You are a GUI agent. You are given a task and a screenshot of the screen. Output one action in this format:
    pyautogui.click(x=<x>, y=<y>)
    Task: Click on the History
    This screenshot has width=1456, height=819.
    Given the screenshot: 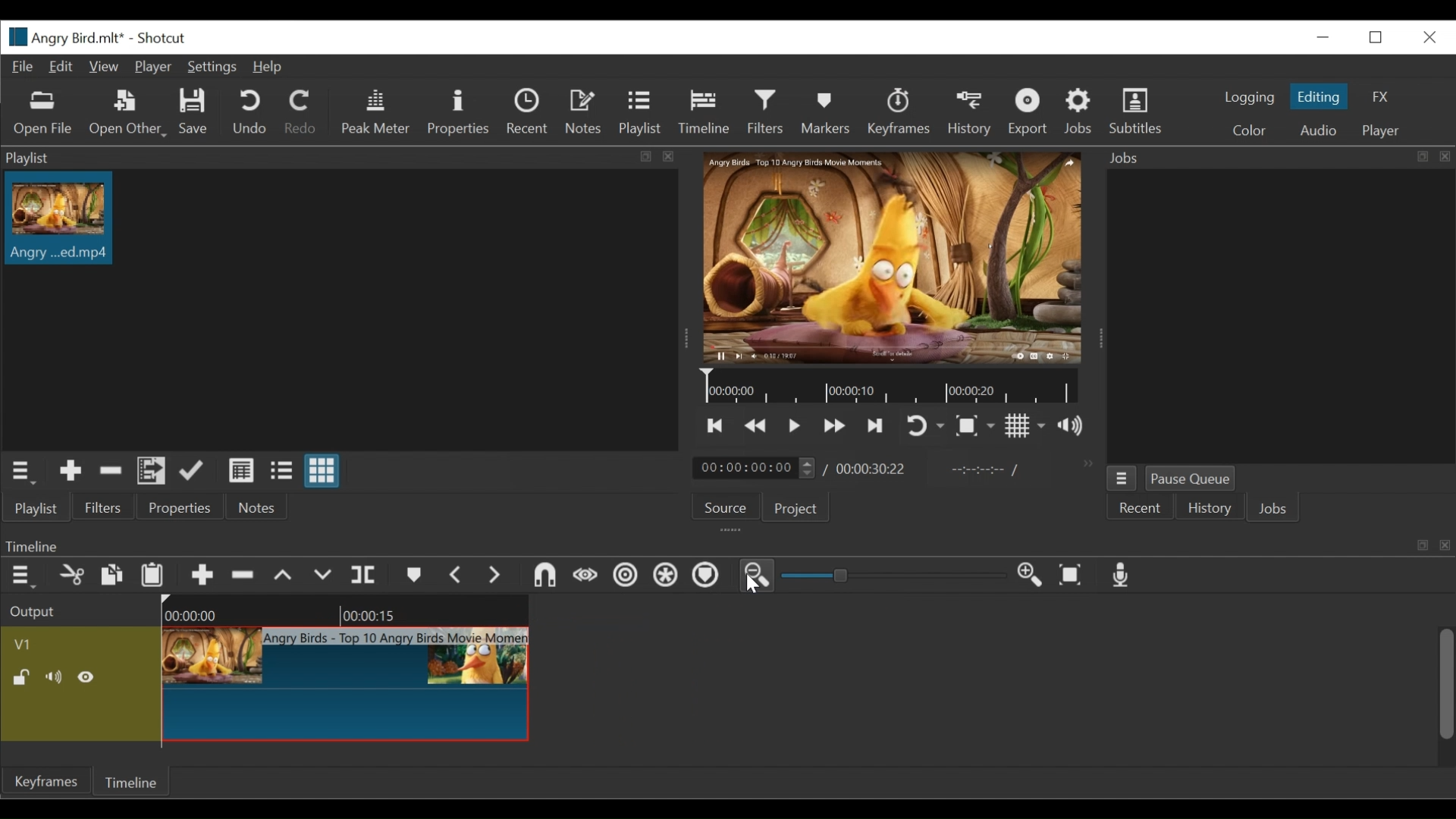 What is the action you would take?
    pyautogui.click(x=970, y=113)
    